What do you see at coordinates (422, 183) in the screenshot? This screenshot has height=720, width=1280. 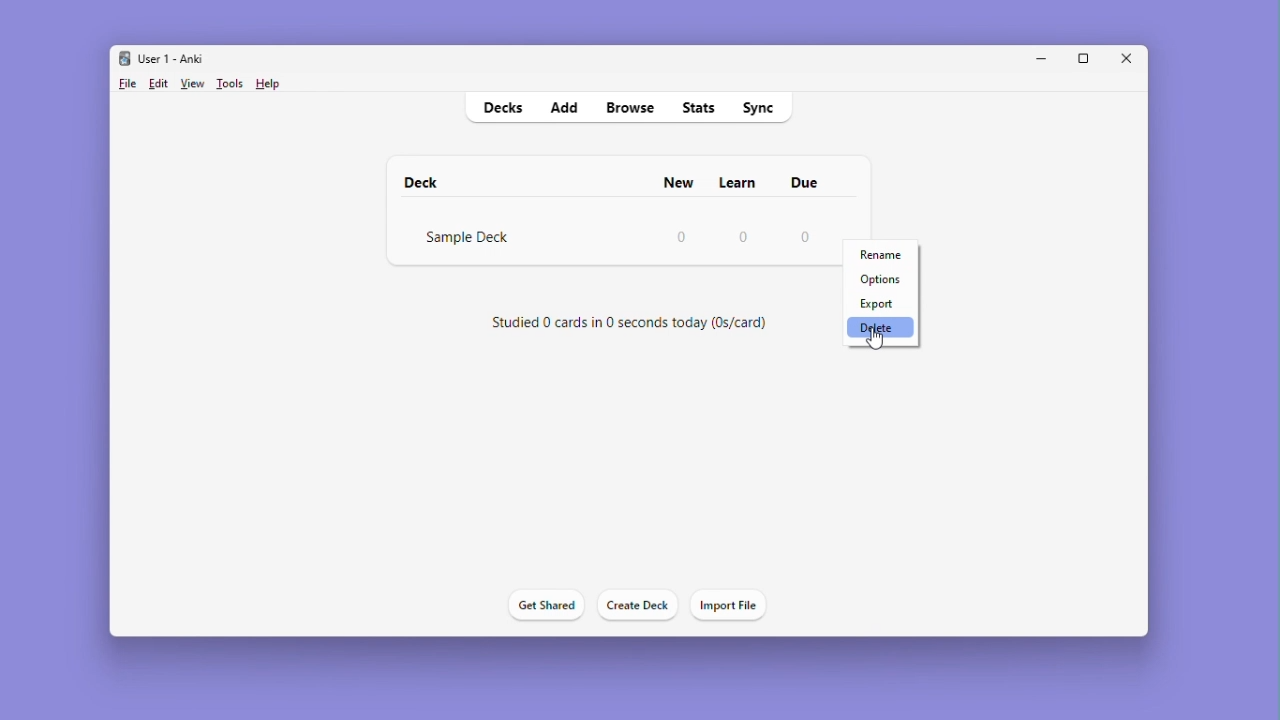 I see `deck` at bounding box center [422, 183].